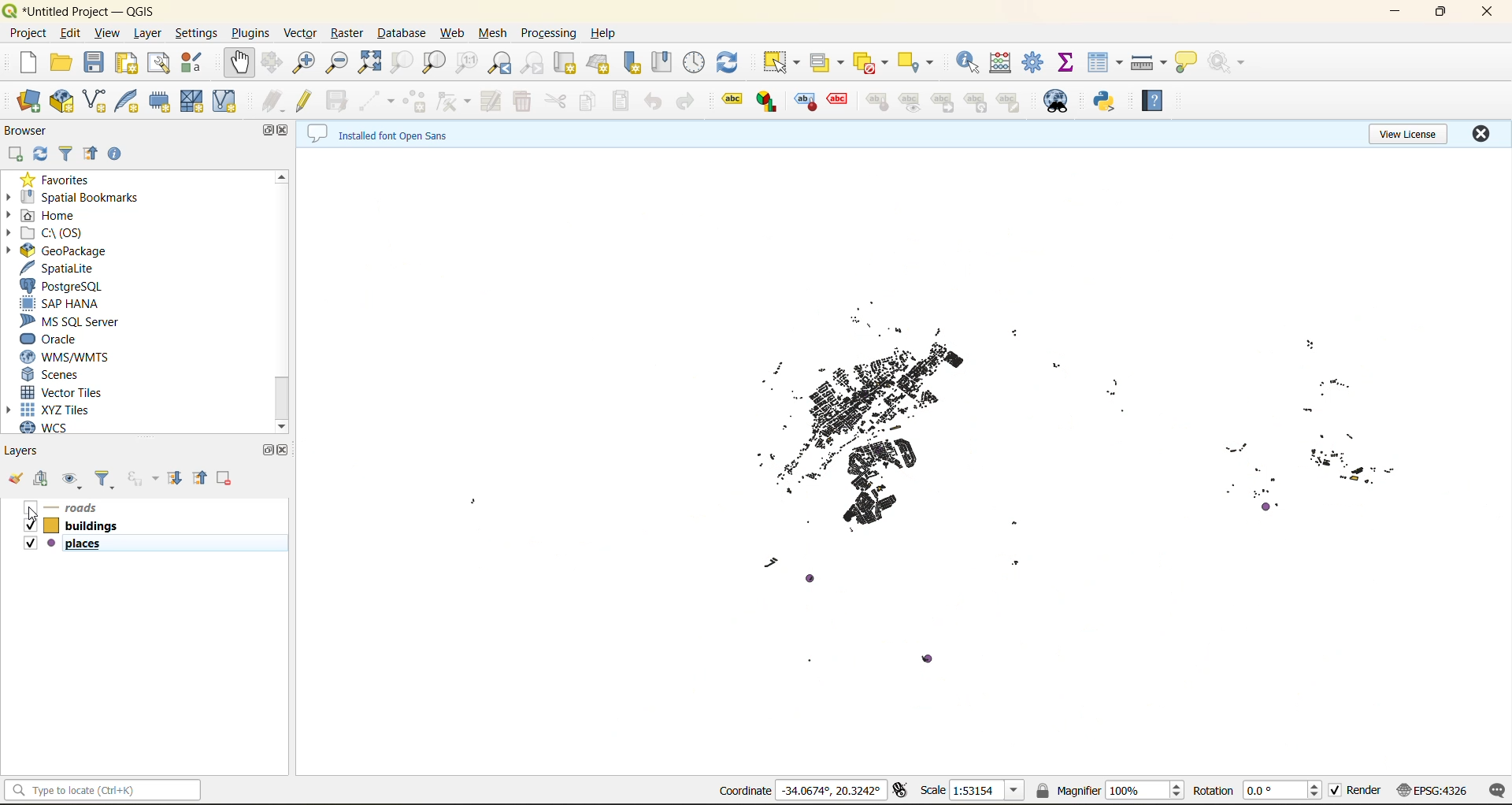 Image resolution: width=1512 pixels, height=805 pixels. Describe the element at coordinates (52, 543) in the screenshot. I see `please` at that location.